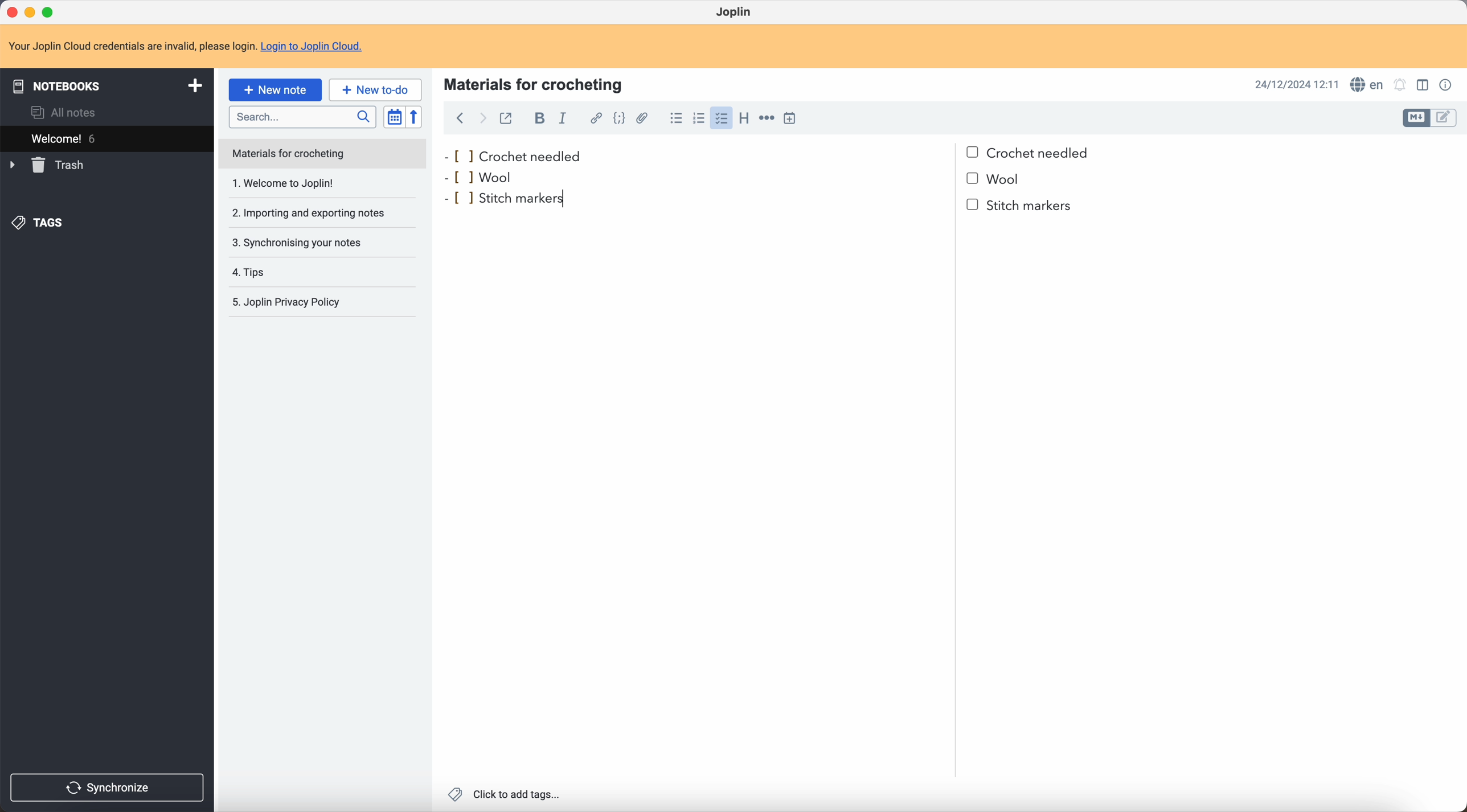 This screenshot has height=812, width=1467. I want to click on insert time, so click(792, 118).